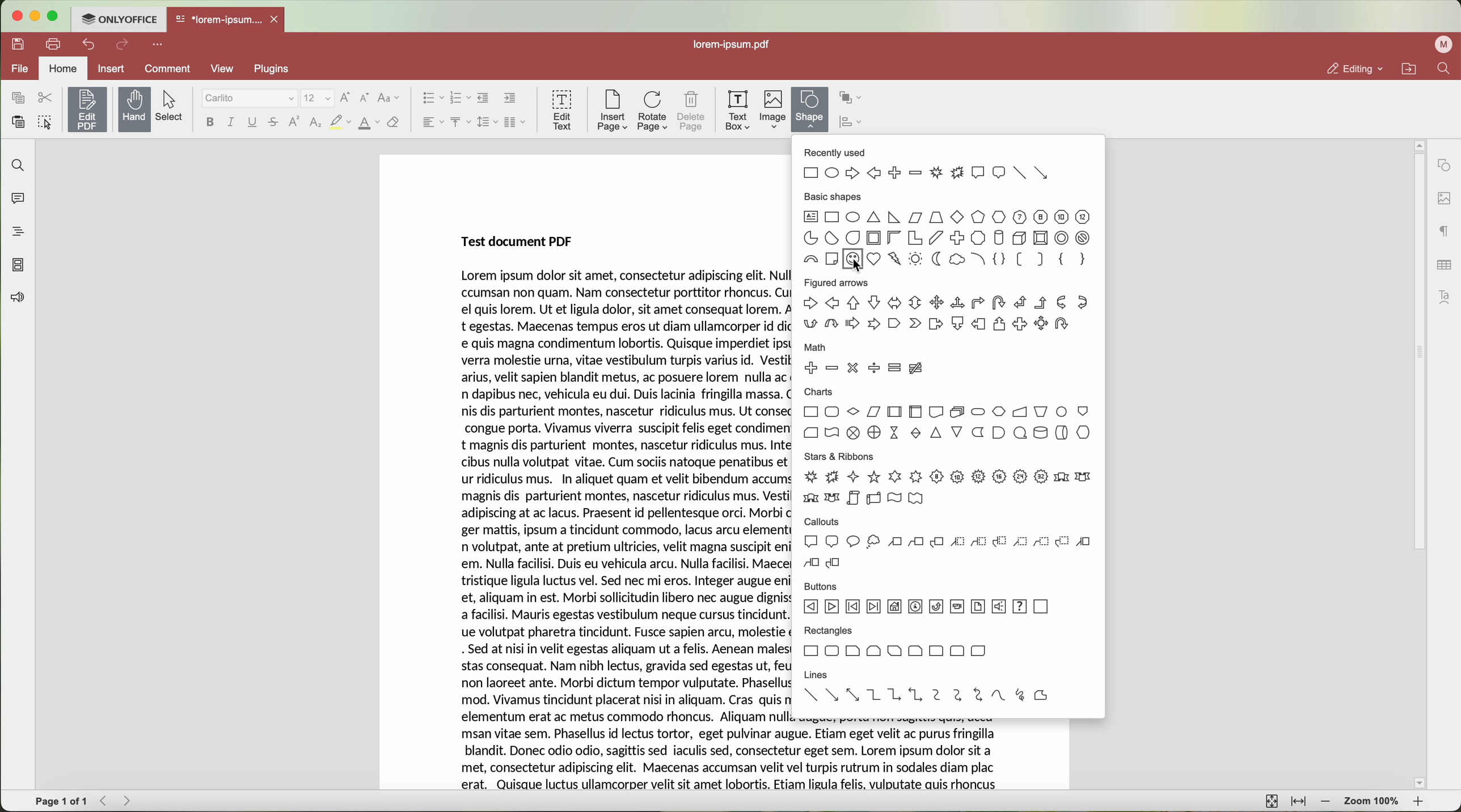 This screenshot has height=812, width=1461. What do you see at coordinates (134, 109) in the screenshot?
I see `hand` at bounding box center [134, 109].